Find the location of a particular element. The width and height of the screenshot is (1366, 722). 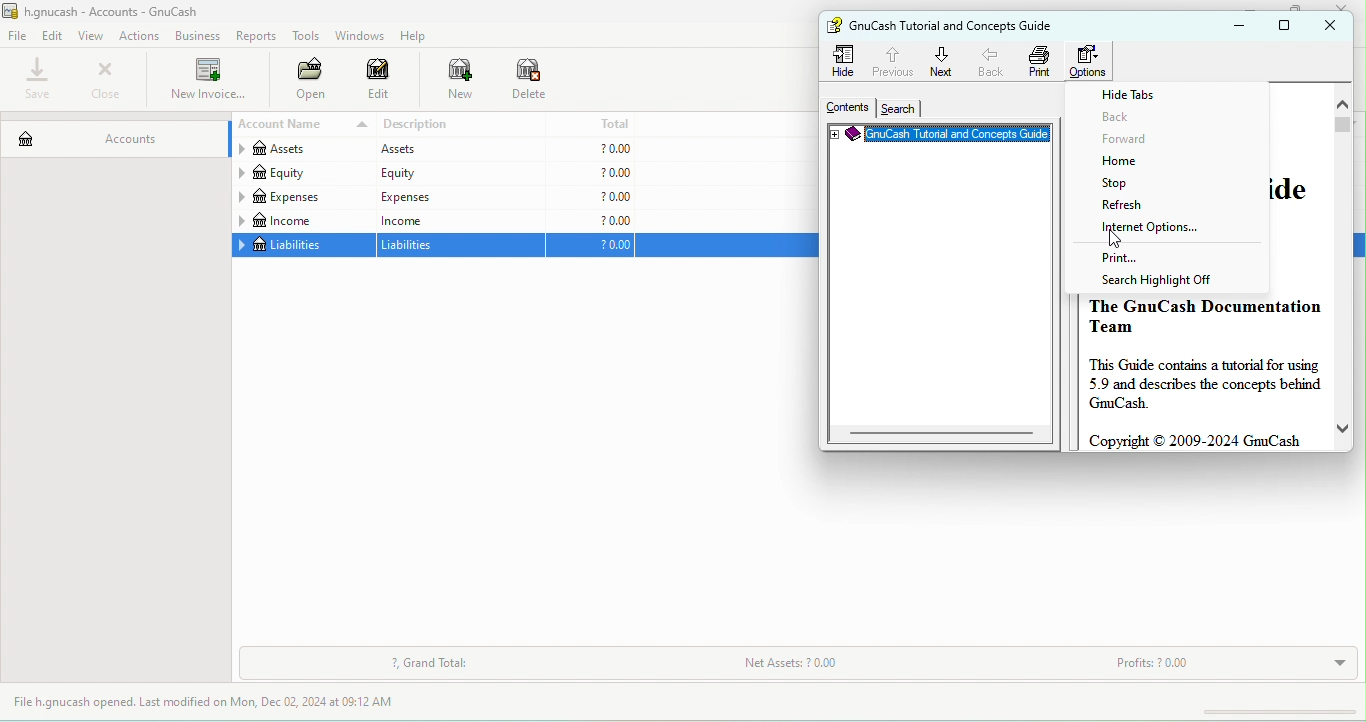

tools is located at coordinates (307, 38).